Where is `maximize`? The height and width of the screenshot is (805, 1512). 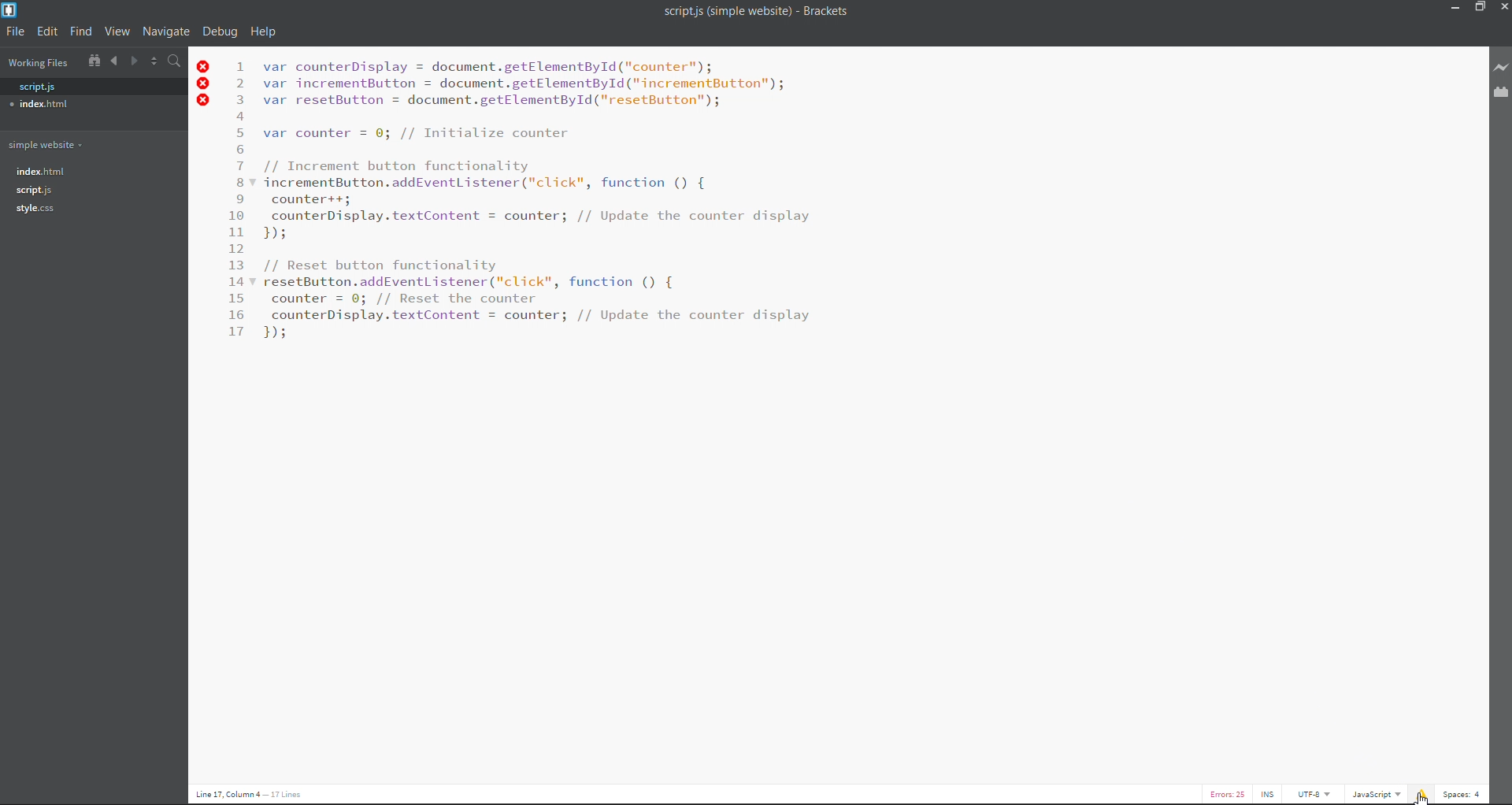
maximize is located at coordinates (1477, 9).